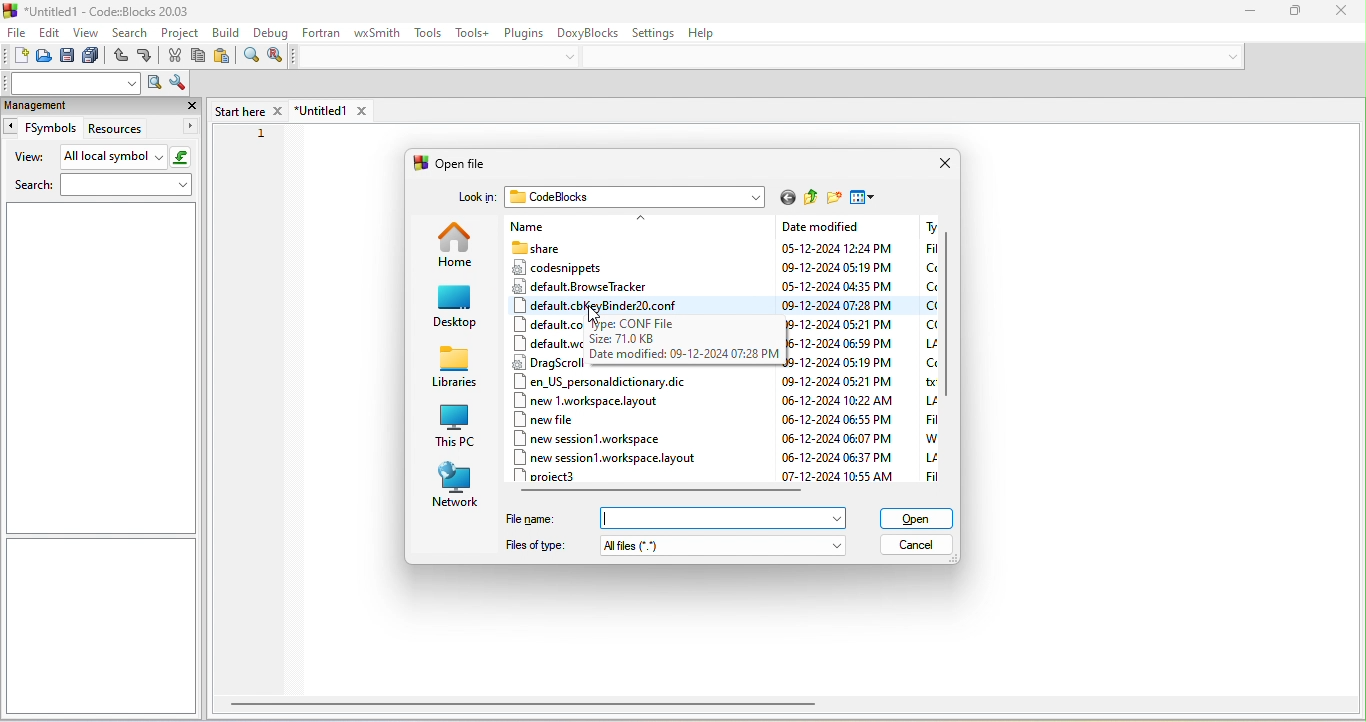 The width and height of the screenshot is (1366, 722). I want to click on search, so click(128, 30).